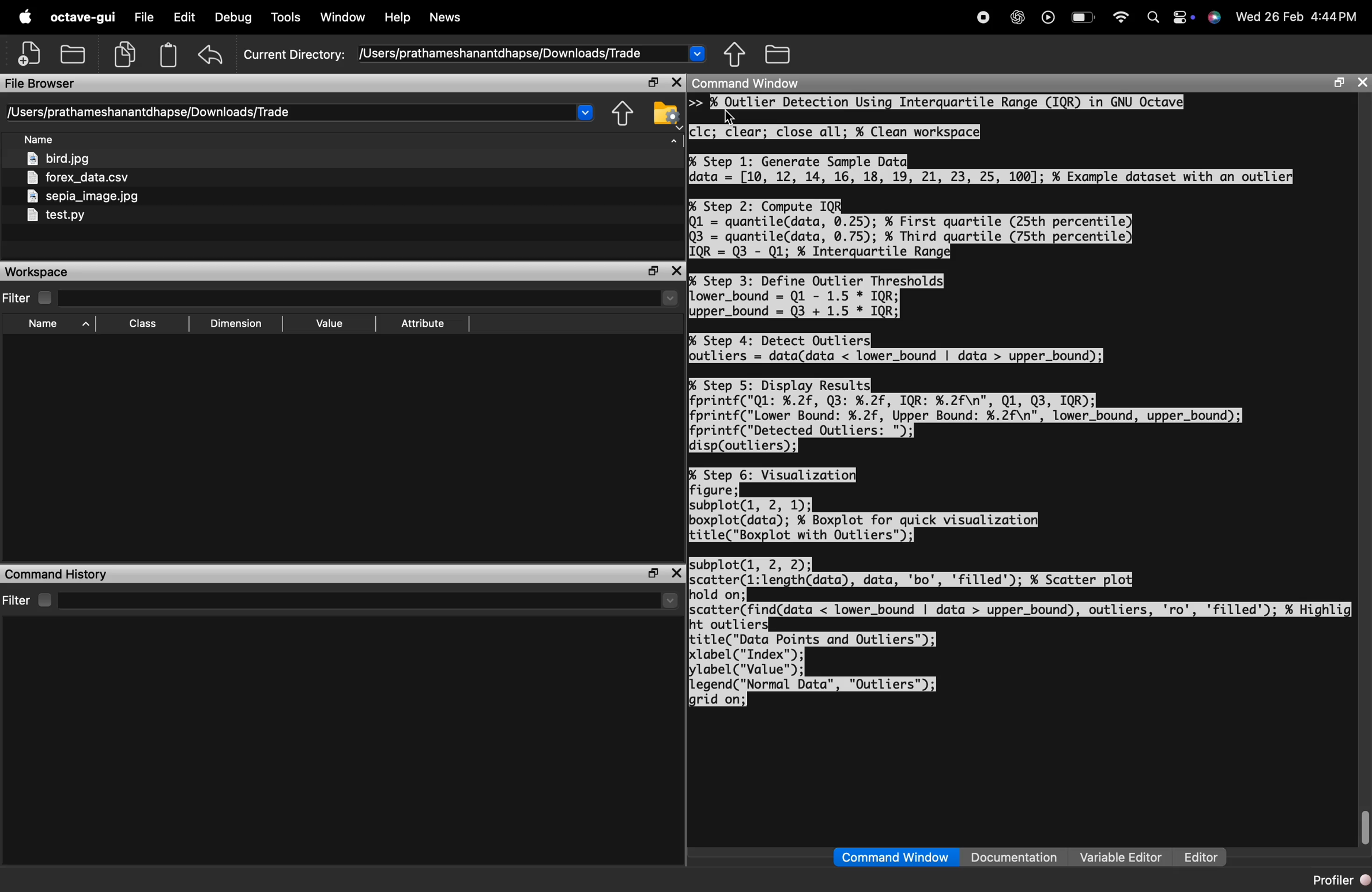 This screenshot has width=1372, height=892. Describe the element at coordinates (1048, 20) in the screenshot. I see `play` at that location.